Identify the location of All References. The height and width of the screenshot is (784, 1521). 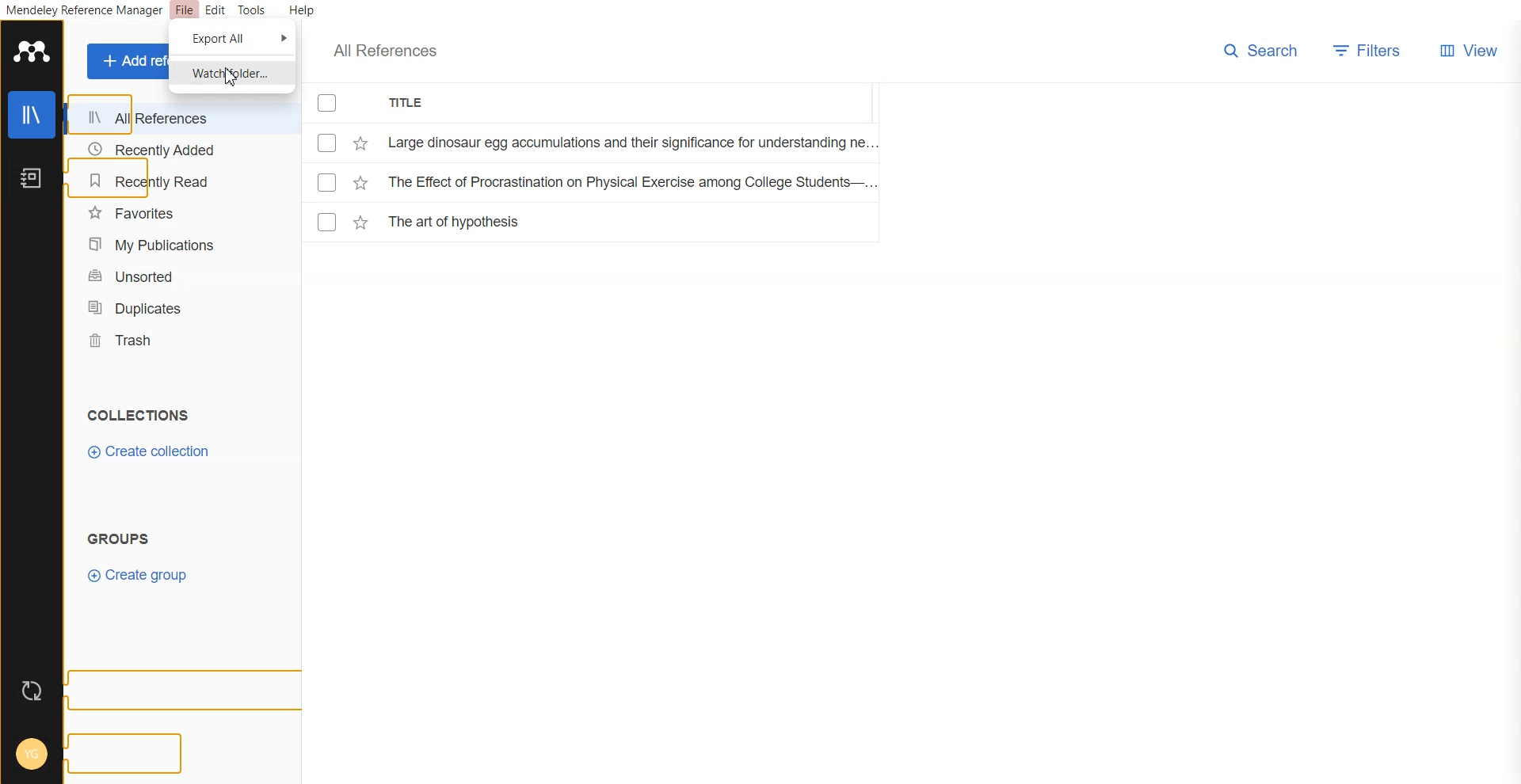
(384, 51).